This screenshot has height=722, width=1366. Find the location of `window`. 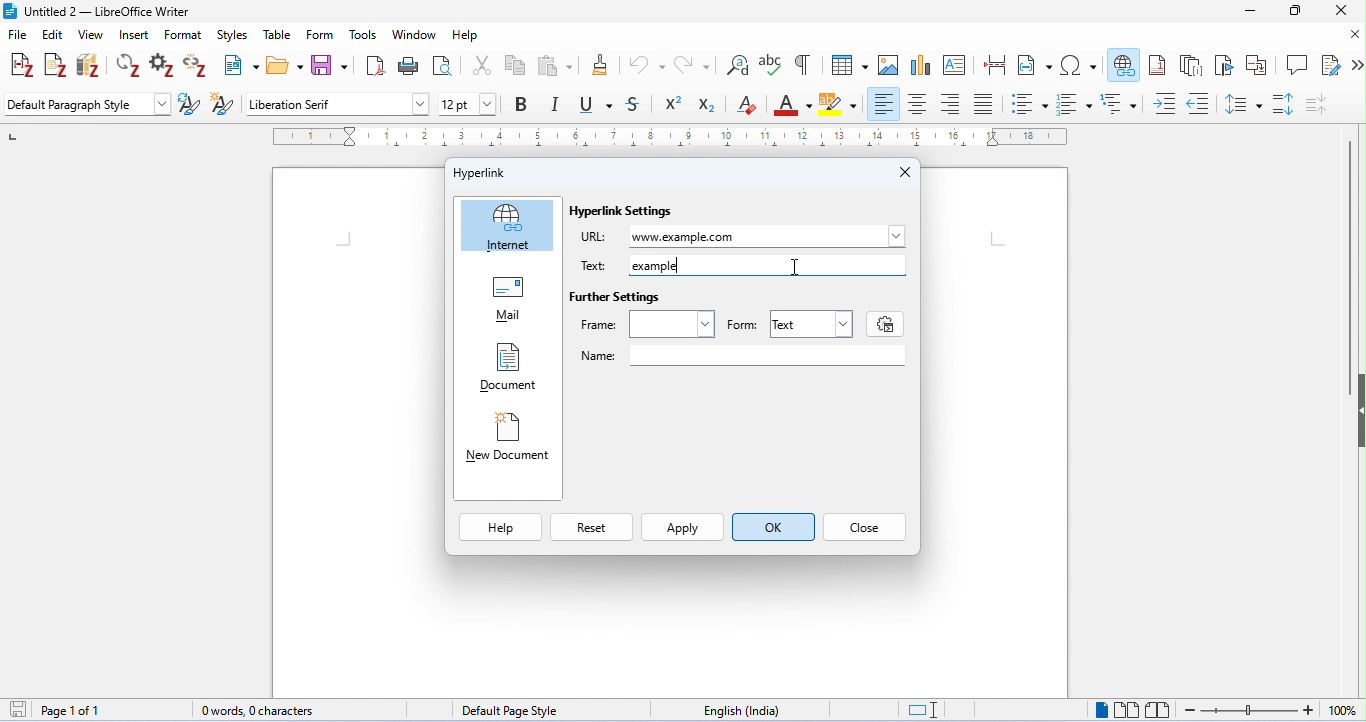

window is located at coordinates (414, 35).